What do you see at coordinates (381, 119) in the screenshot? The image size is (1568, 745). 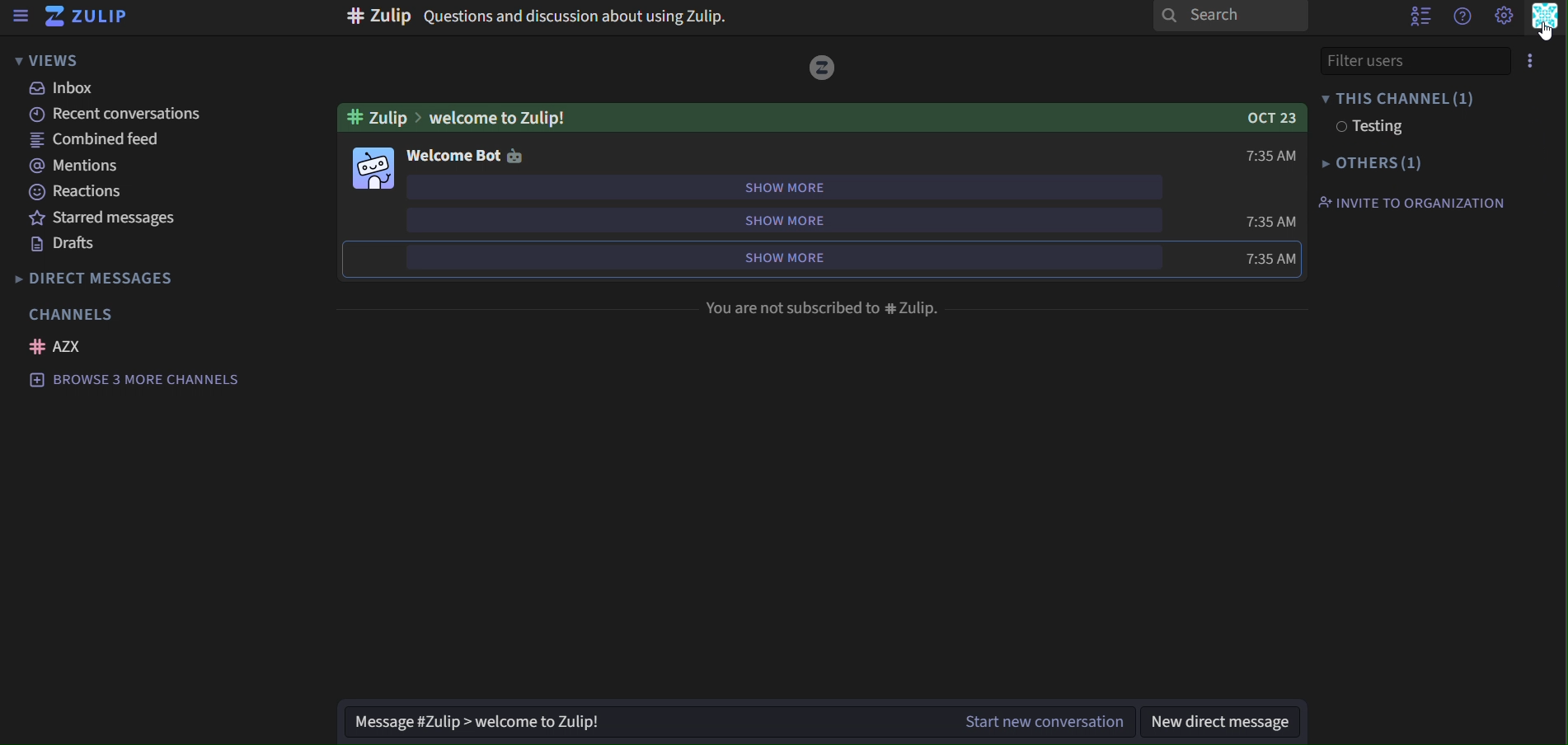 I see `# Zulip >` at bounding box center [381, 119].